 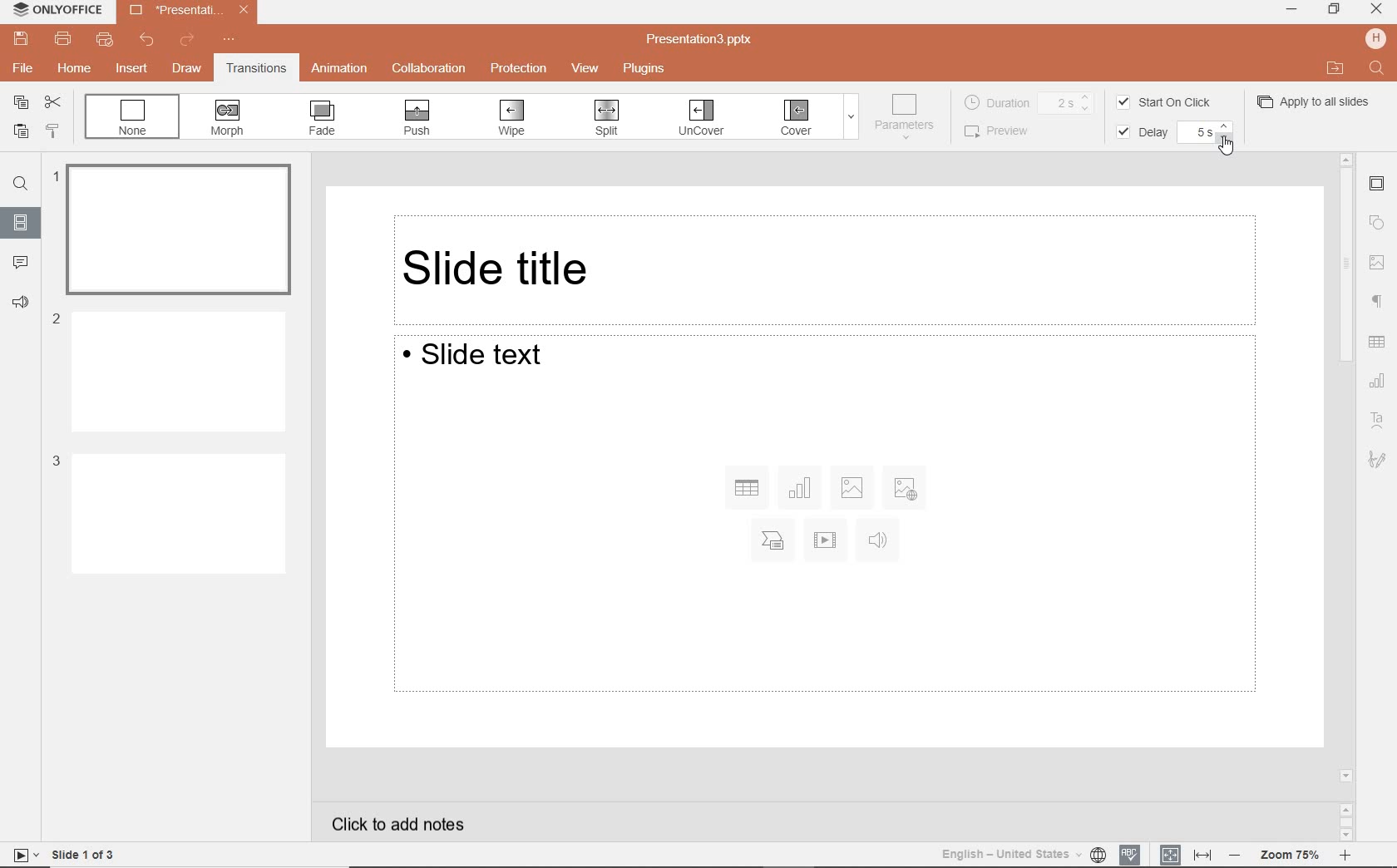 What do you see at coordinates (1129, 855) in the screenshot?
I see `spell checking` at bounding box center [1129, 855].